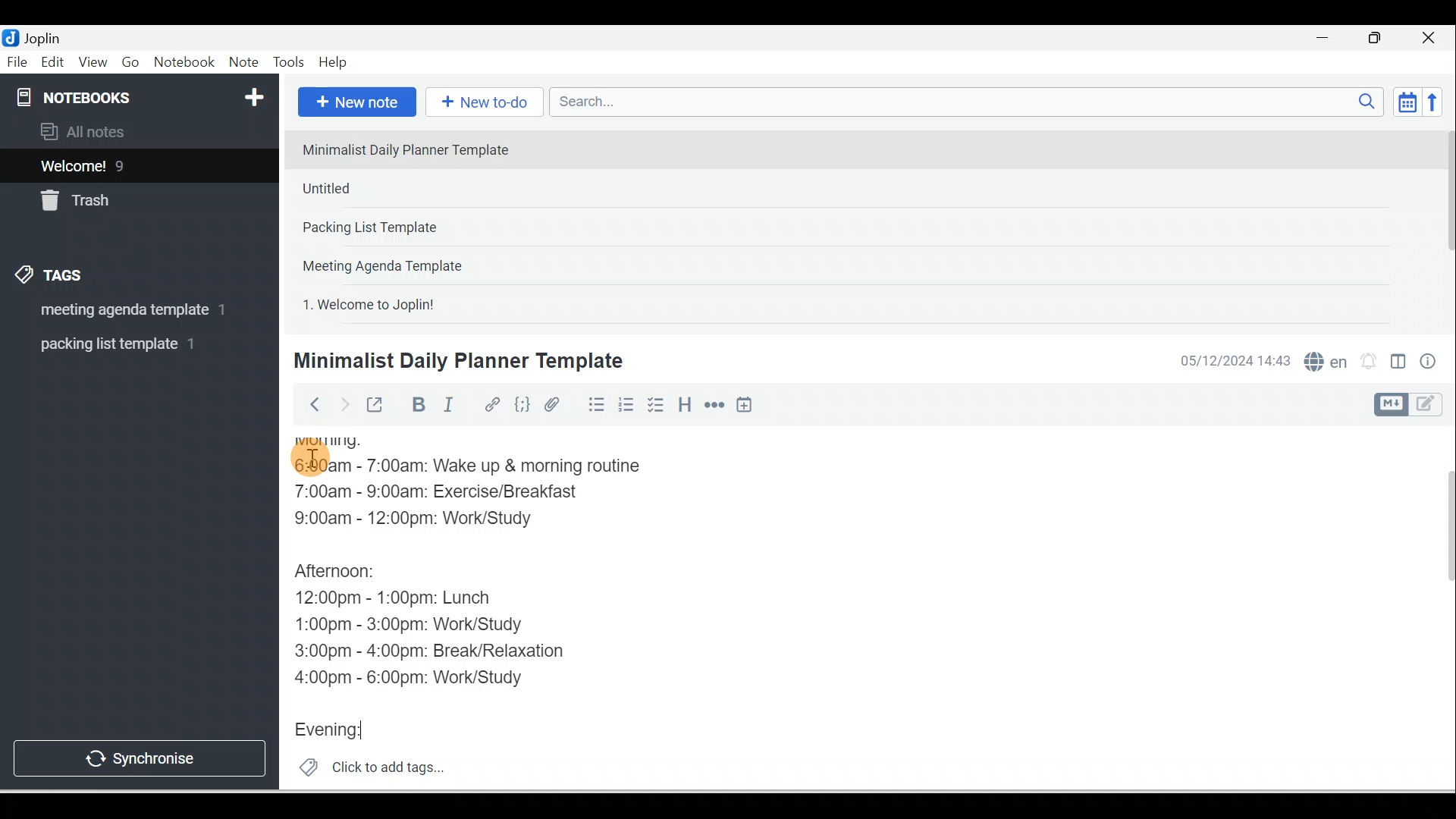 This screenshot has width=1456, height=819. I want to click on Minimalist Daily Planner Template, so click(456, 361).